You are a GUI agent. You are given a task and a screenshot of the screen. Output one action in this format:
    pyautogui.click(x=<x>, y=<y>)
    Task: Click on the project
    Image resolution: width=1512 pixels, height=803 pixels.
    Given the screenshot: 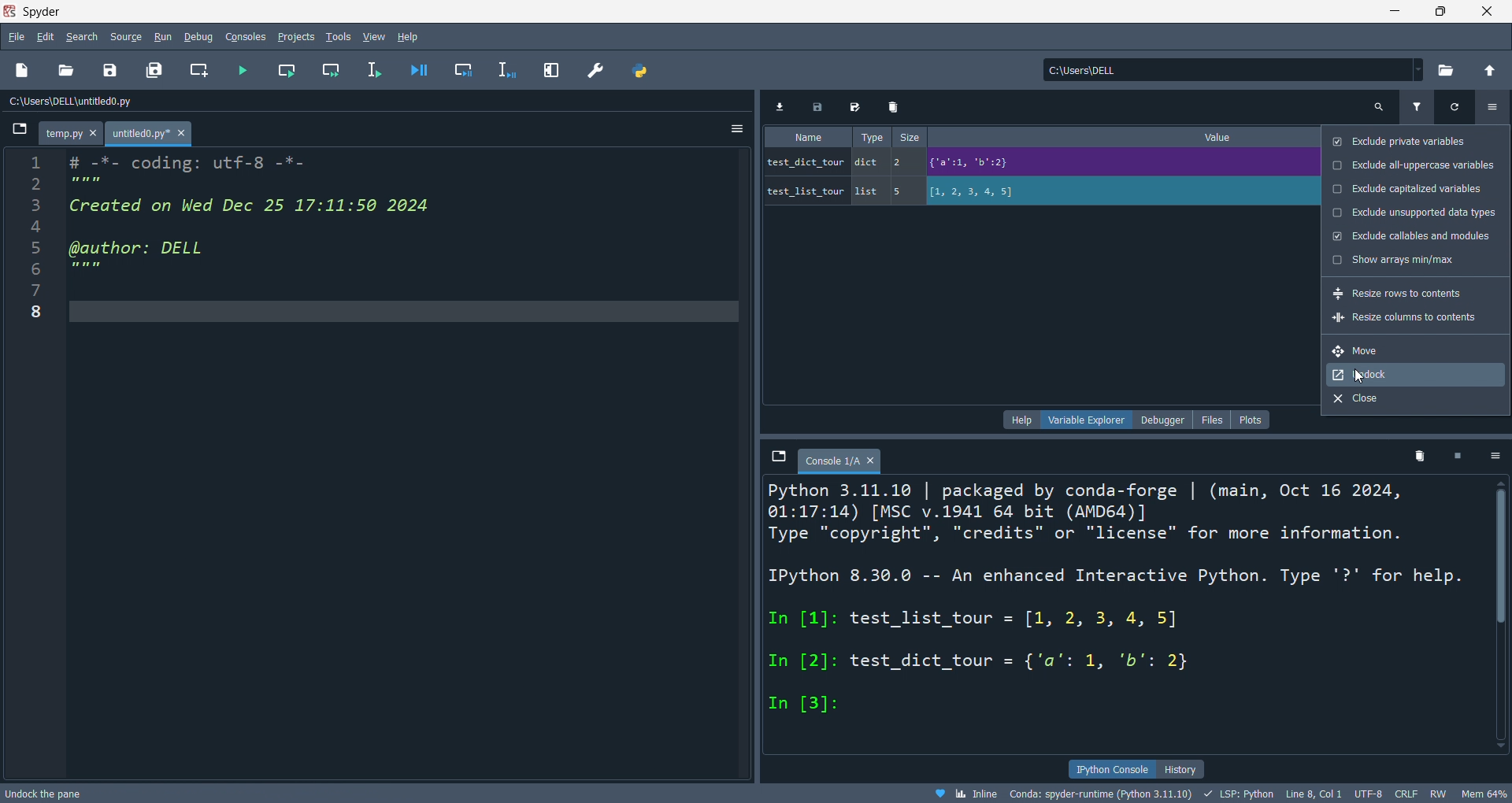 What is the action you would take?
    pyautogui.click(x=299, y=36)
    